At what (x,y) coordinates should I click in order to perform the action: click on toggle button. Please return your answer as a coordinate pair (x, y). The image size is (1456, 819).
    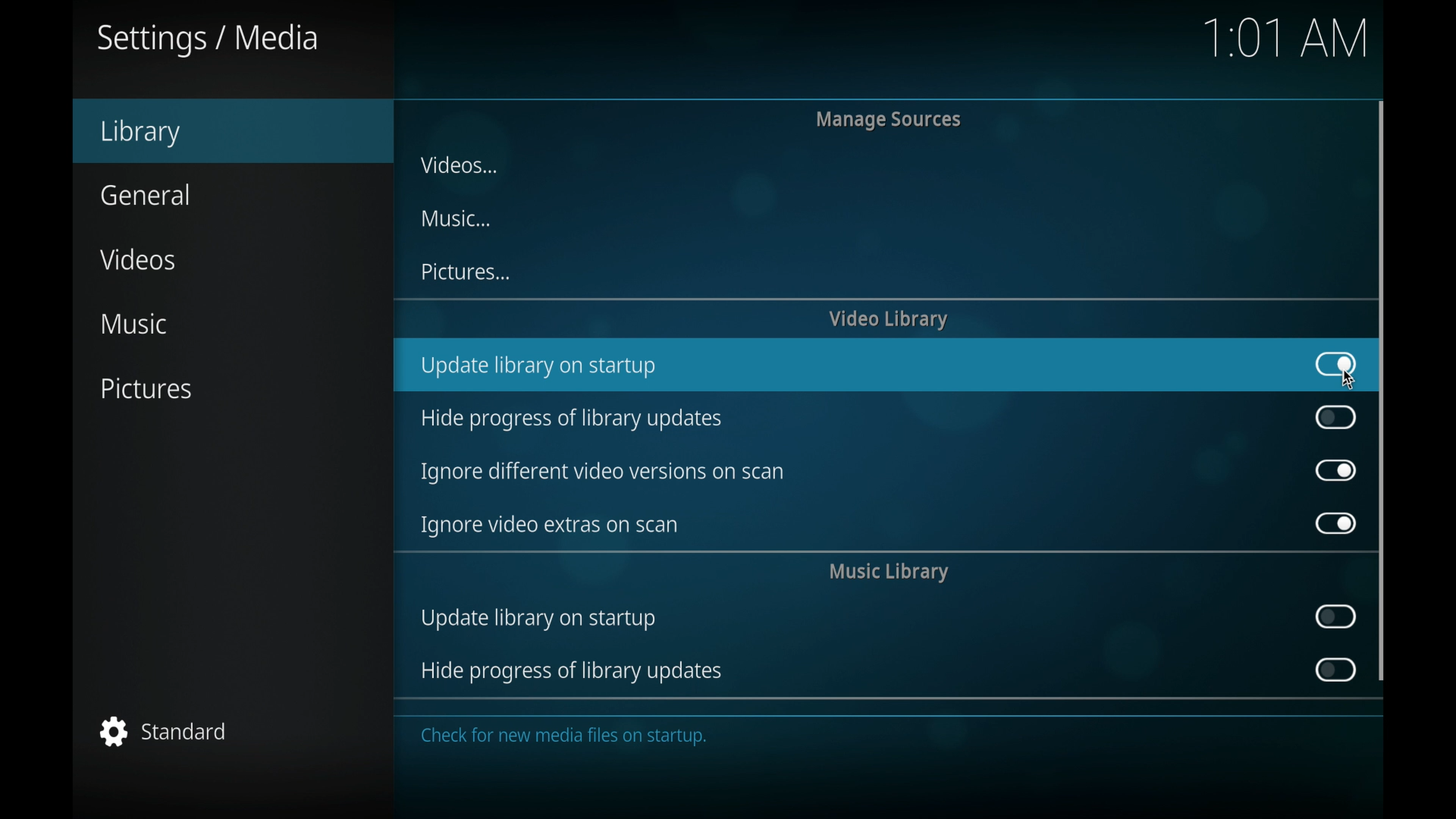
    Looking at the image, I should click on (1335, 364).